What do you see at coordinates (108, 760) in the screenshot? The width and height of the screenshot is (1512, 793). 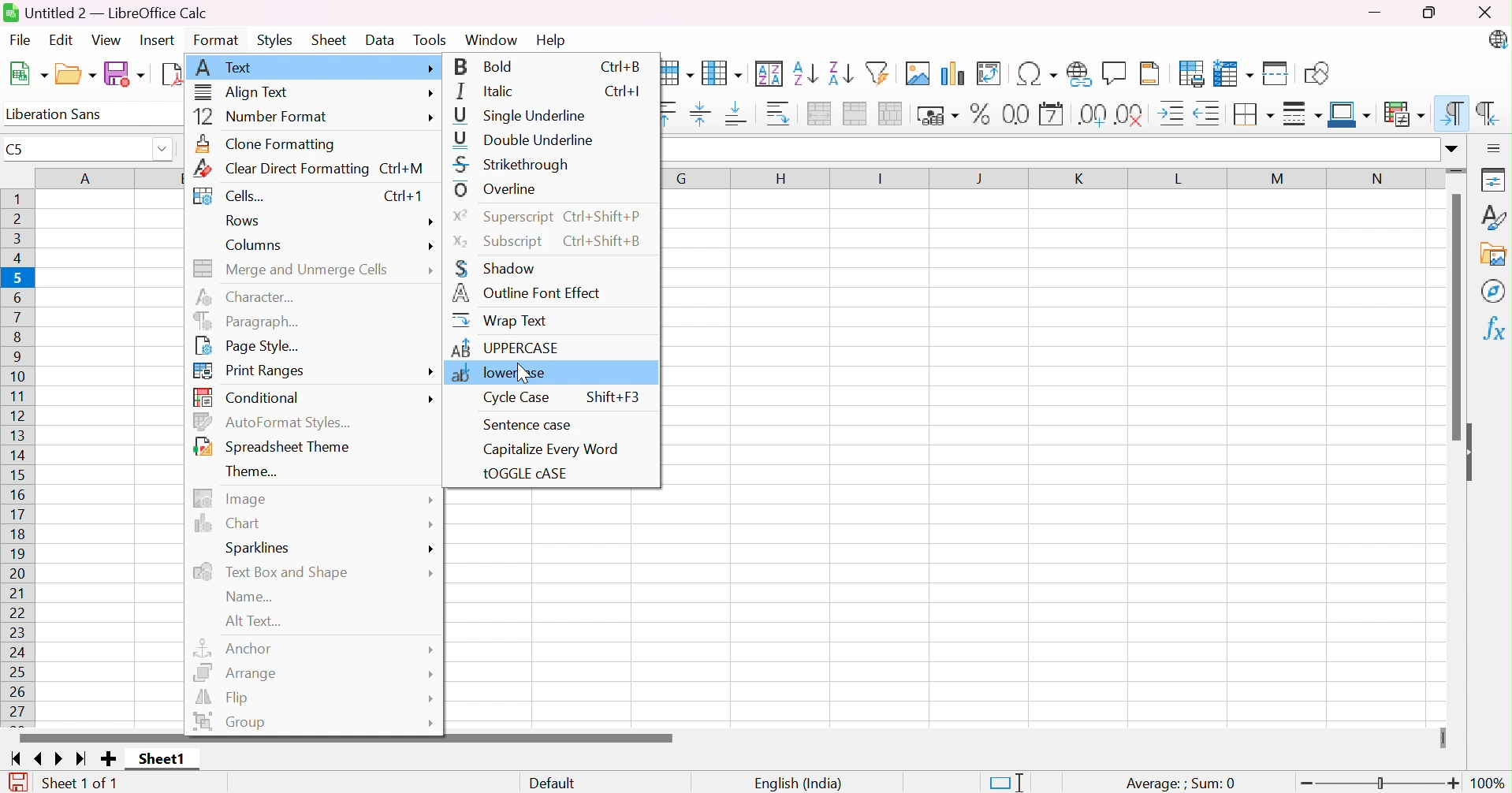 I see `Add new Sheet` at bounding box center [108, 760].